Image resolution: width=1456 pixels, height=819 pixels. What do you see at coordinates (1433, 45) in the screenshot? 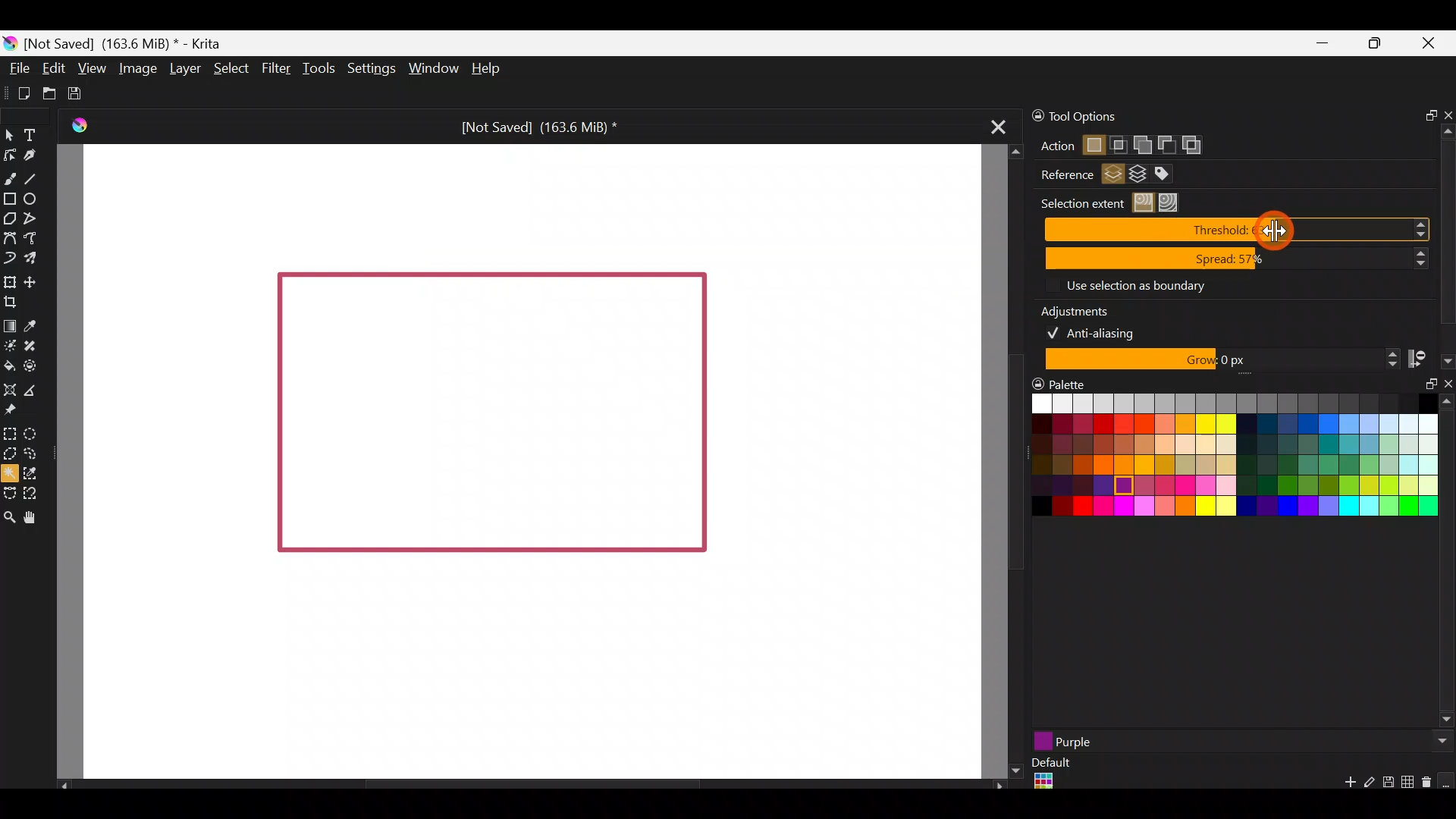
I see `Close` at bounding box center [1433, 45].